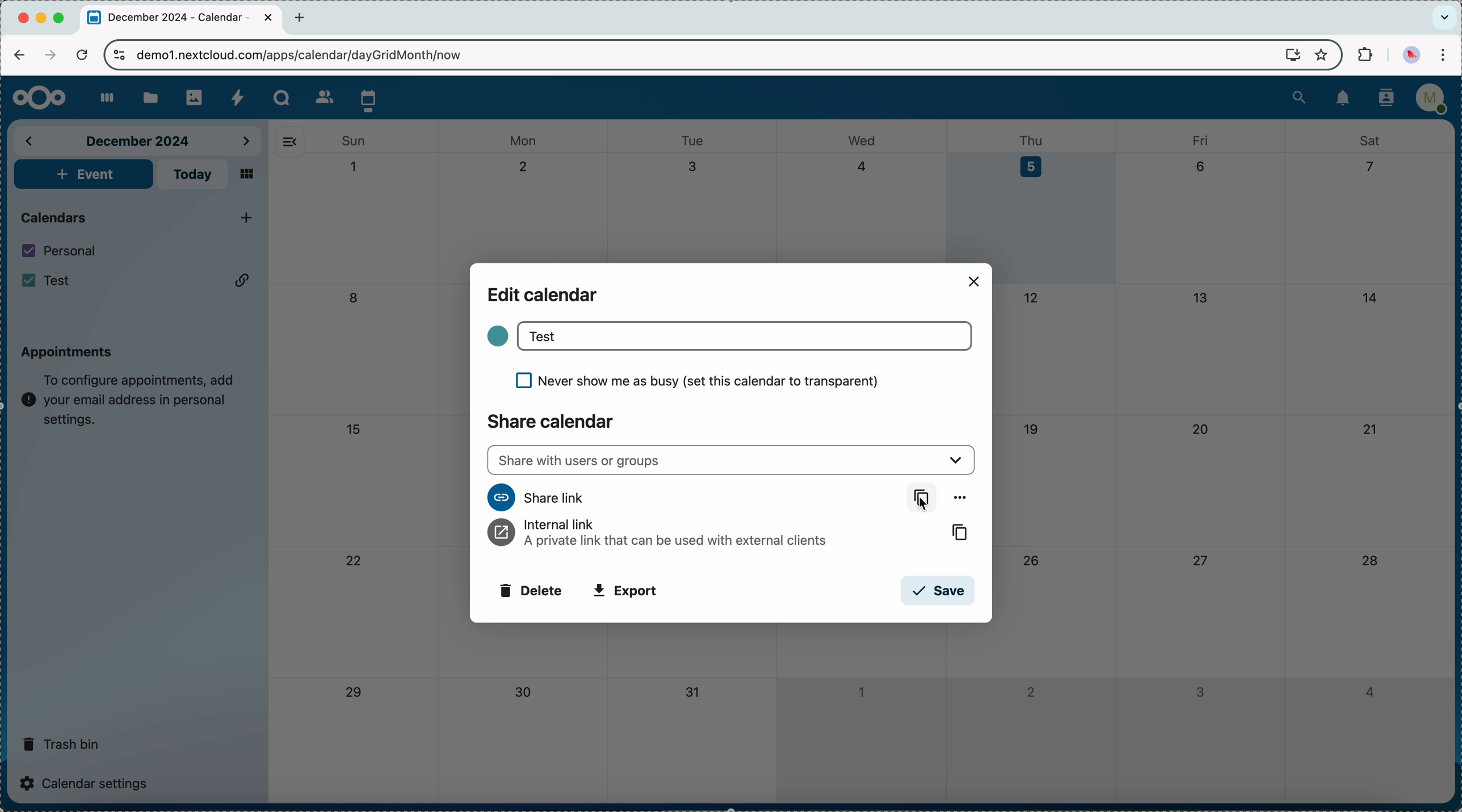 The width and height of the screenshot is (1462, 812). What do you see at coordinates (352, 141) in the screenshot?
I see `sun` at bounding box center [352, 141].